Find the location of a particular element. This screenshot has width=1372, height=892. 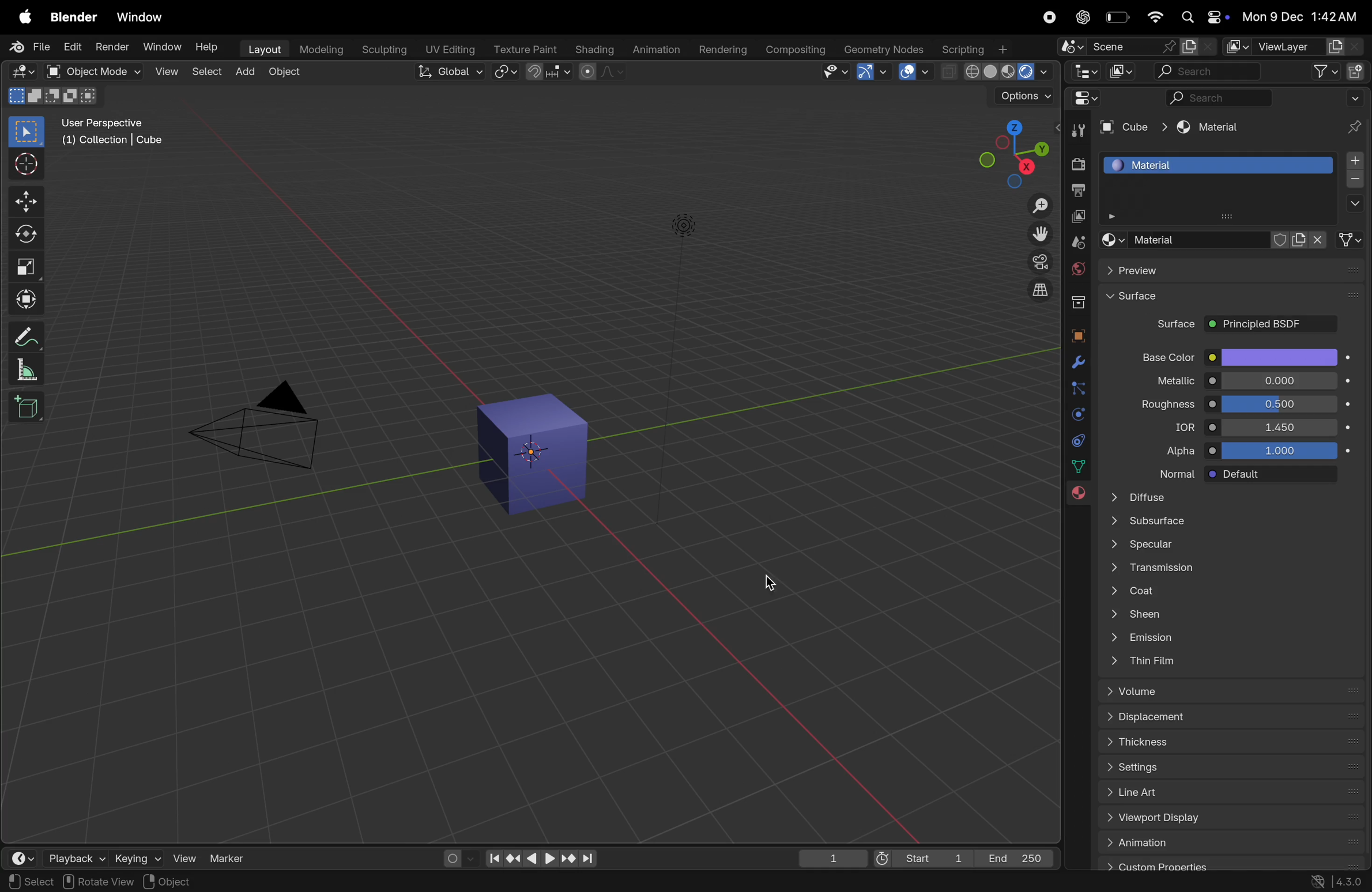

o.oo is located at coordinates (1280, 381).